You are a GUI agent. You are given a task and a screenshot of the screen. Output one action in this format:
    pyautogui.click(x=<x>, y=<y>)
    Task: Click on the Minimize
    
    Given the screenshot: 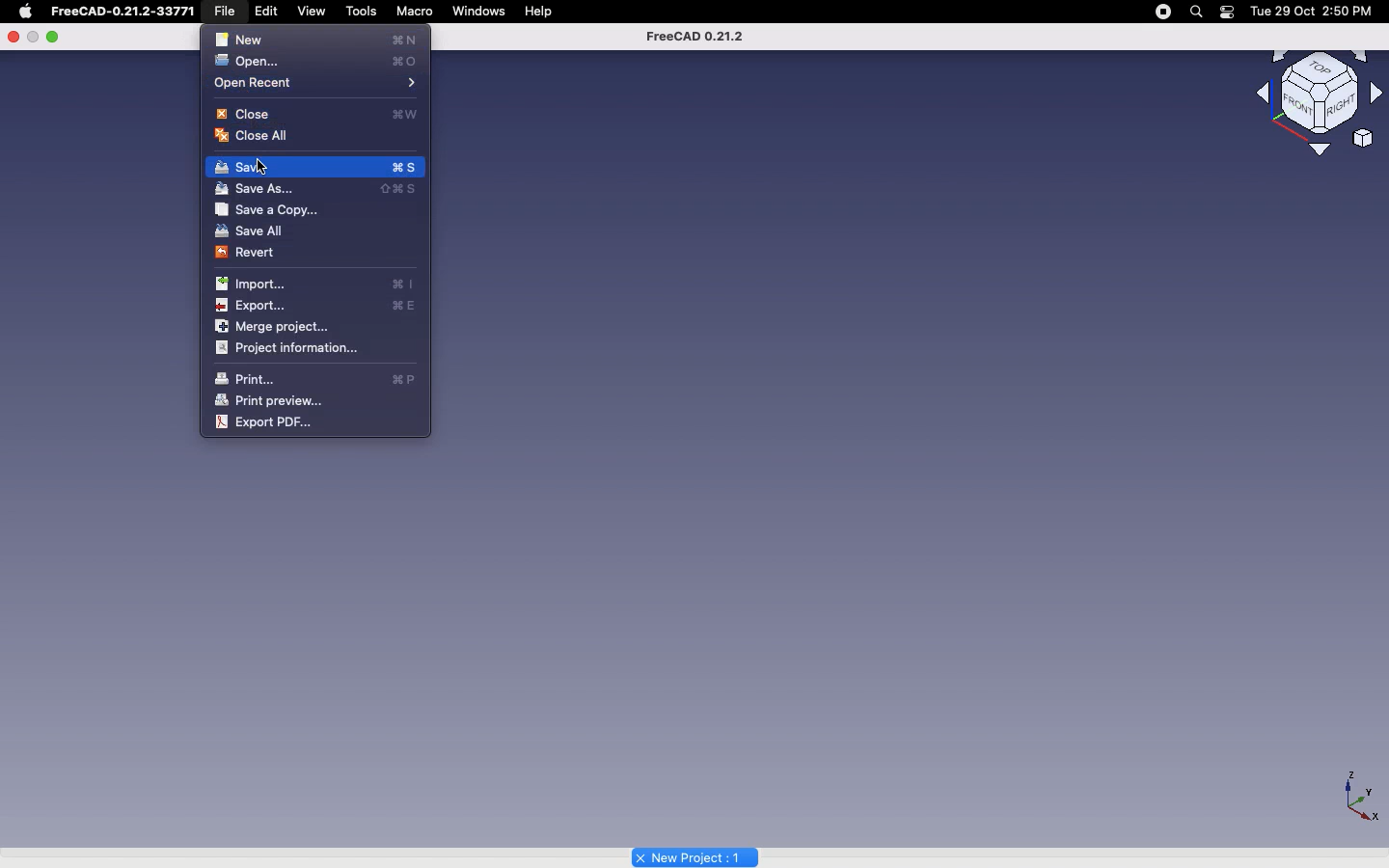 What is the action you would take?
    pyautogui.click(x=54, y=36)
    